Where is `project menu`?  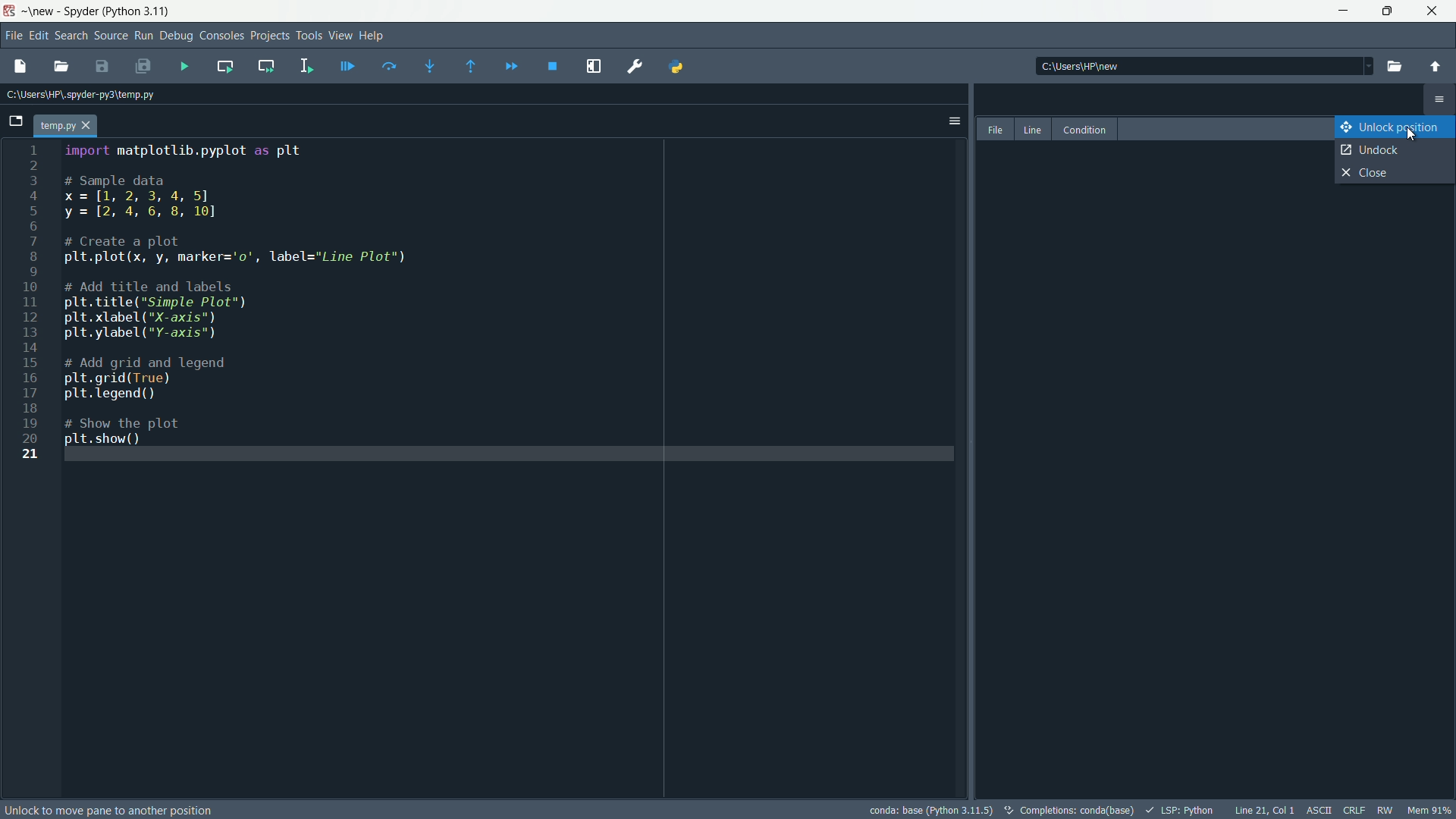
project menu is located at coordinates (268, 33).